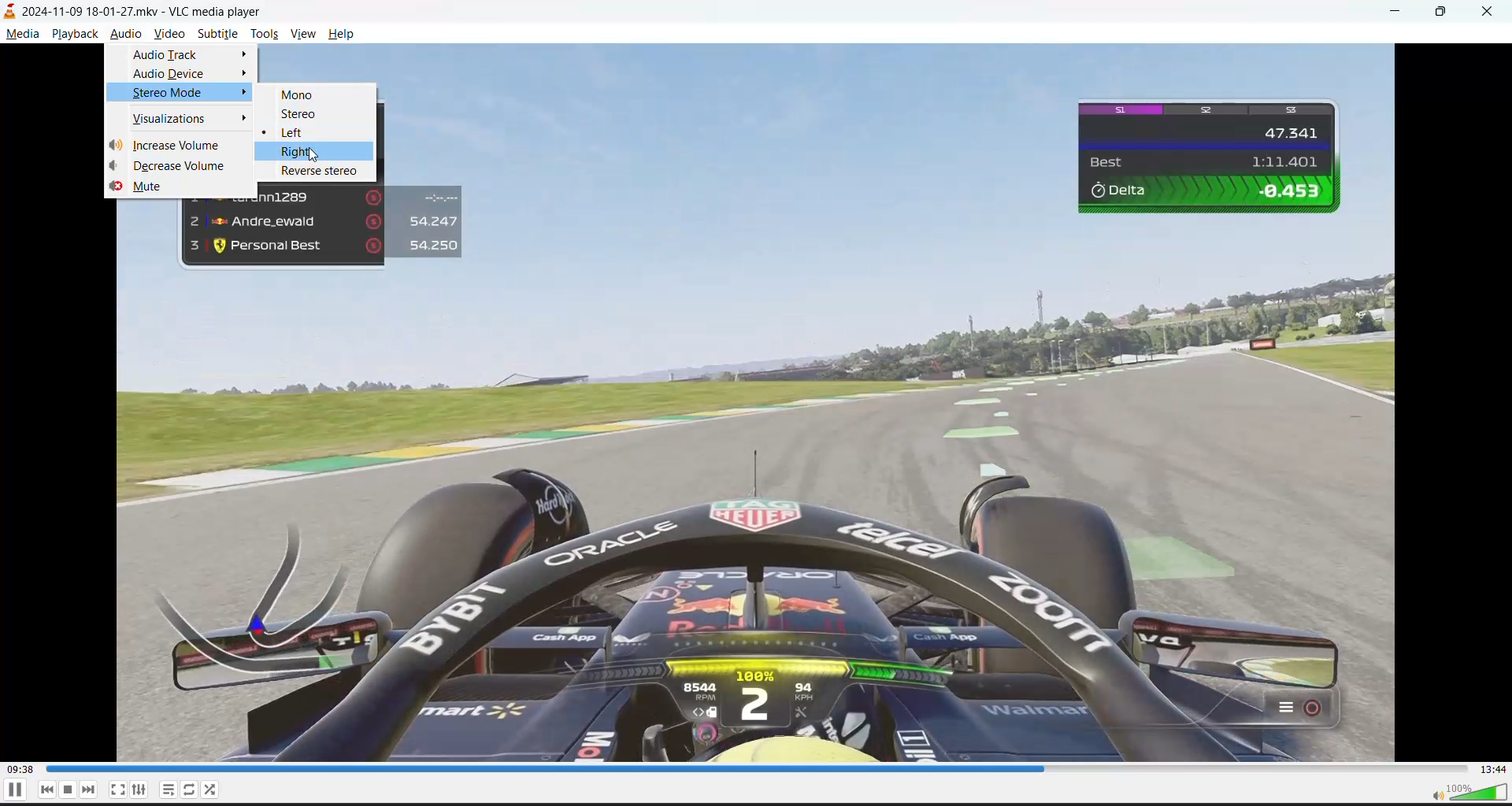  I want to click on visualizations, so click(173, 117).